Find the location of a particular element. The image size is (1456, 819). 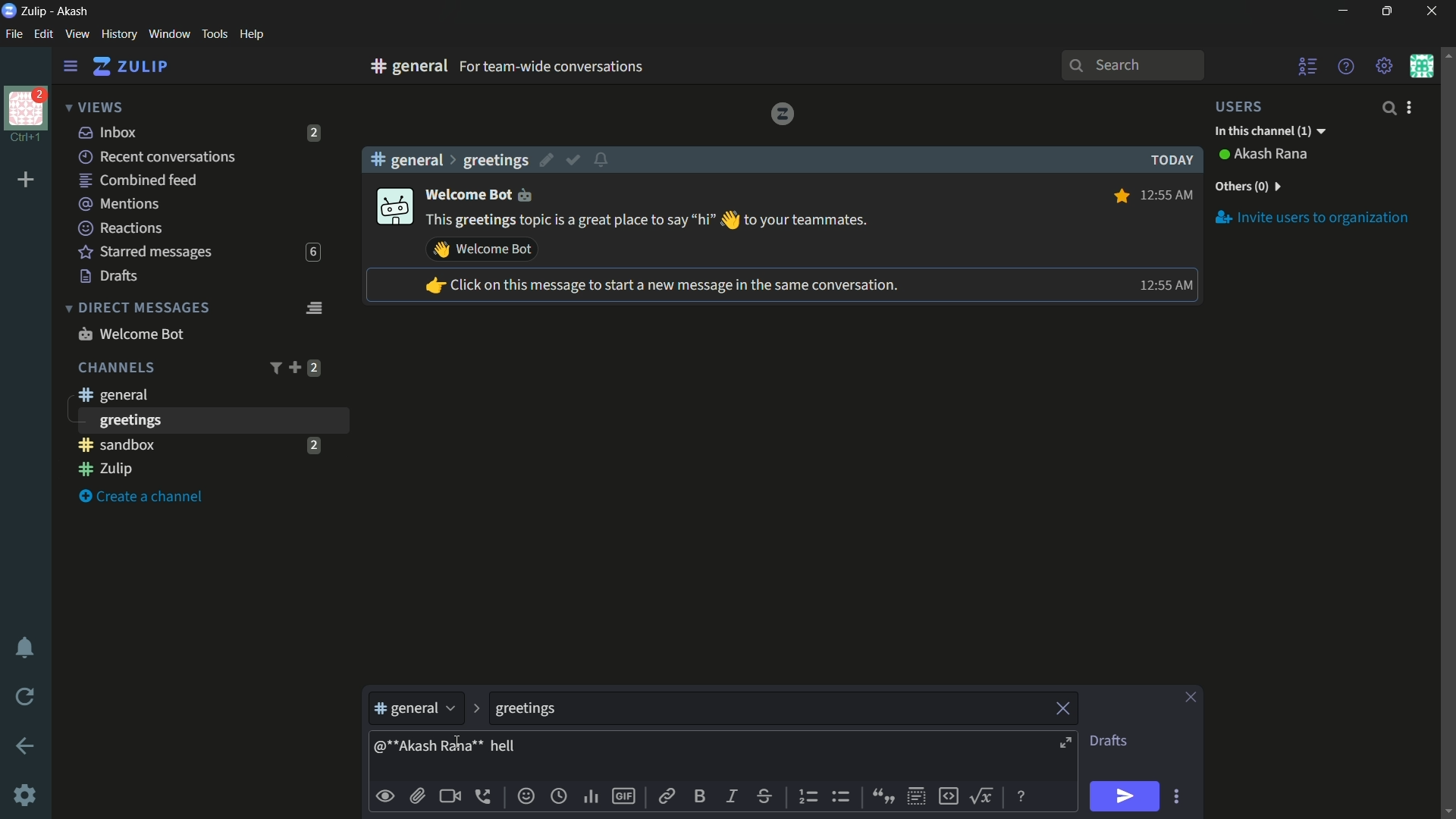

window menu is located at coordinates (169, 34).